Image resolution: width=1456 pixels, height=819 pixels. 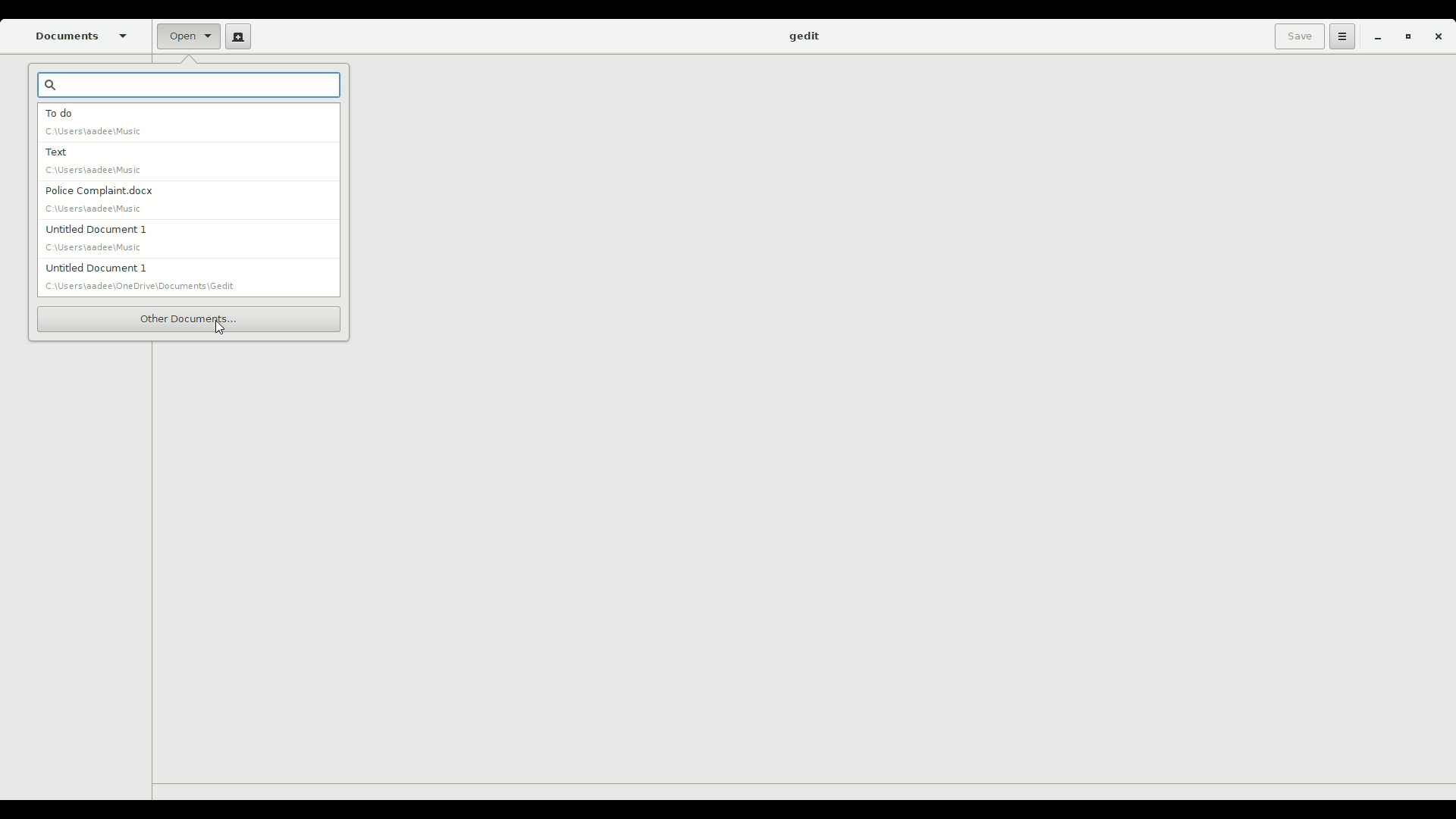 I want to click on Documents, so click(x=83, y=36).